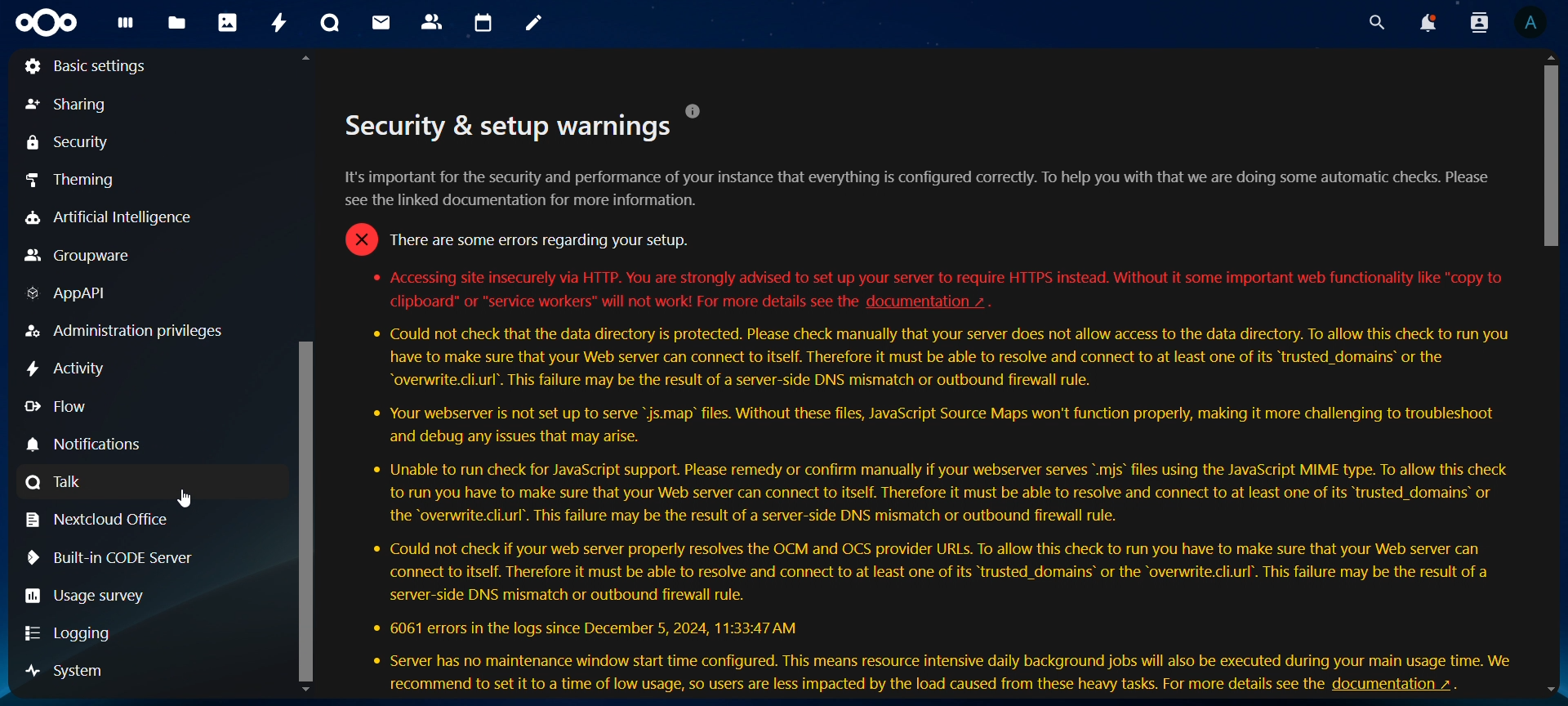  What do you see at coordinates (939, 304) in the screenshot?
I see `documentation` at bounding box center [939, 304].